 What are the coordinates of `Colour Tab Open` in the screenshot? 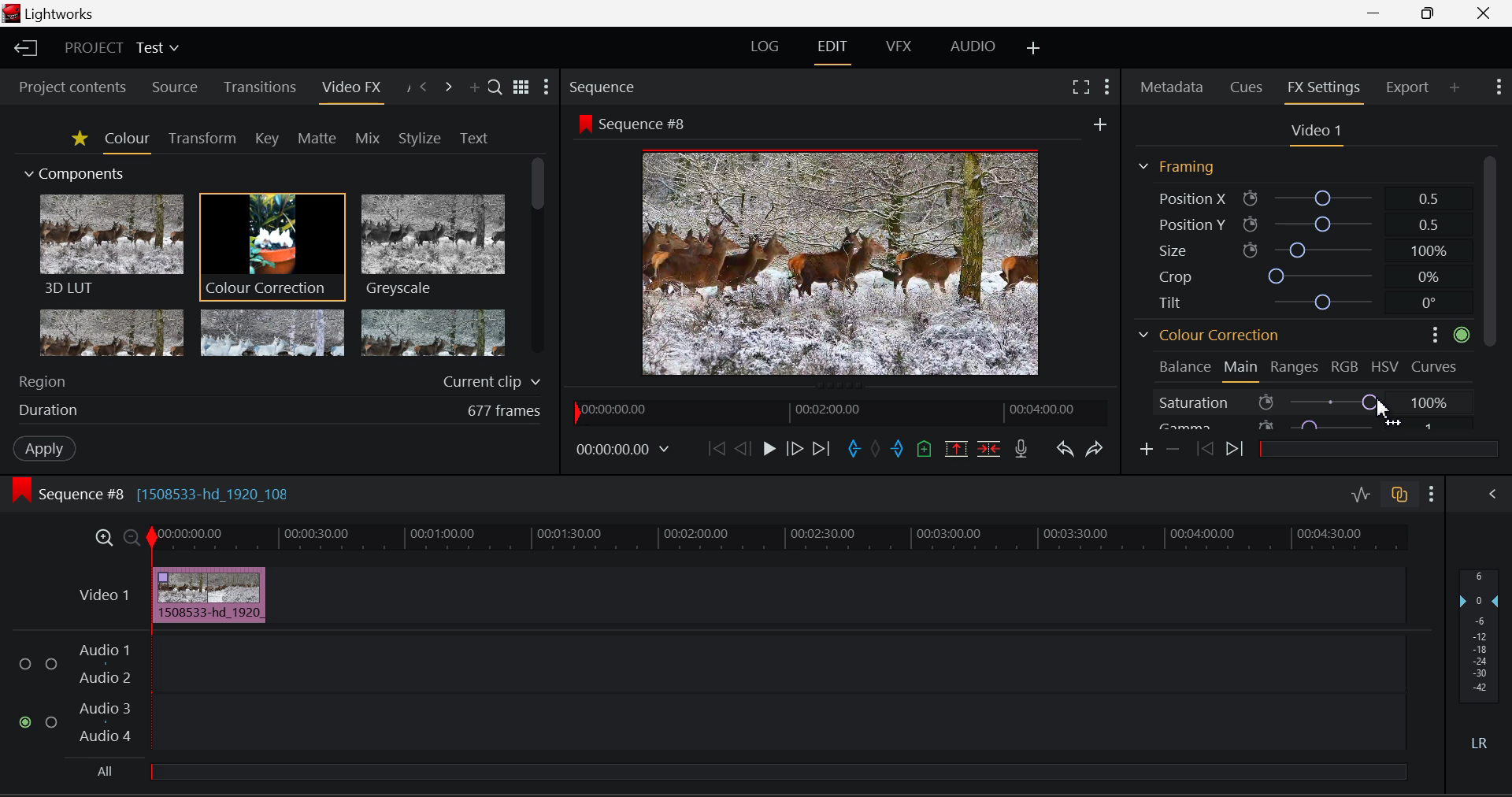 It's located at (127, 140).